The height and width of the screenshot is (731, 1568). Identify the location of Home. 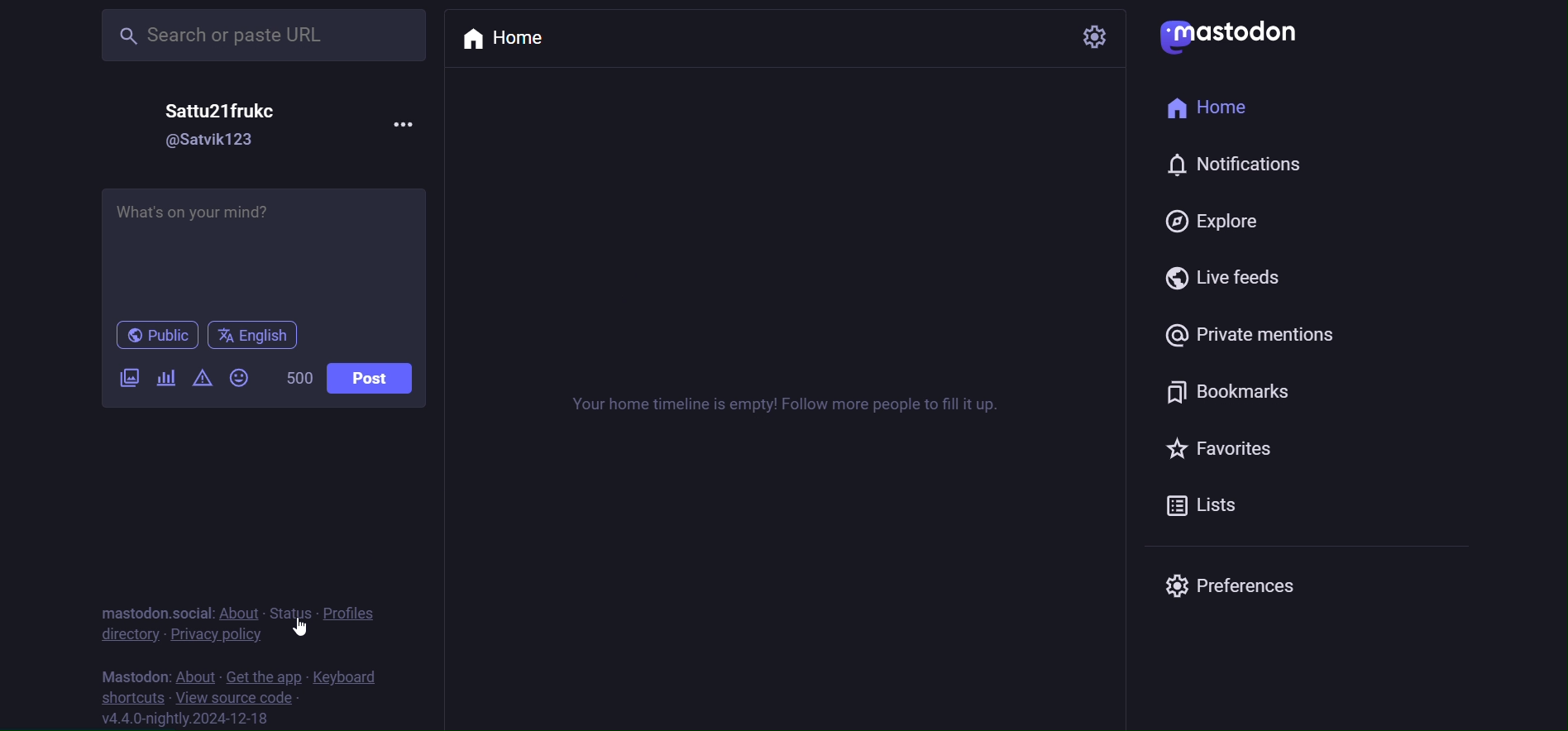
(510, 39).